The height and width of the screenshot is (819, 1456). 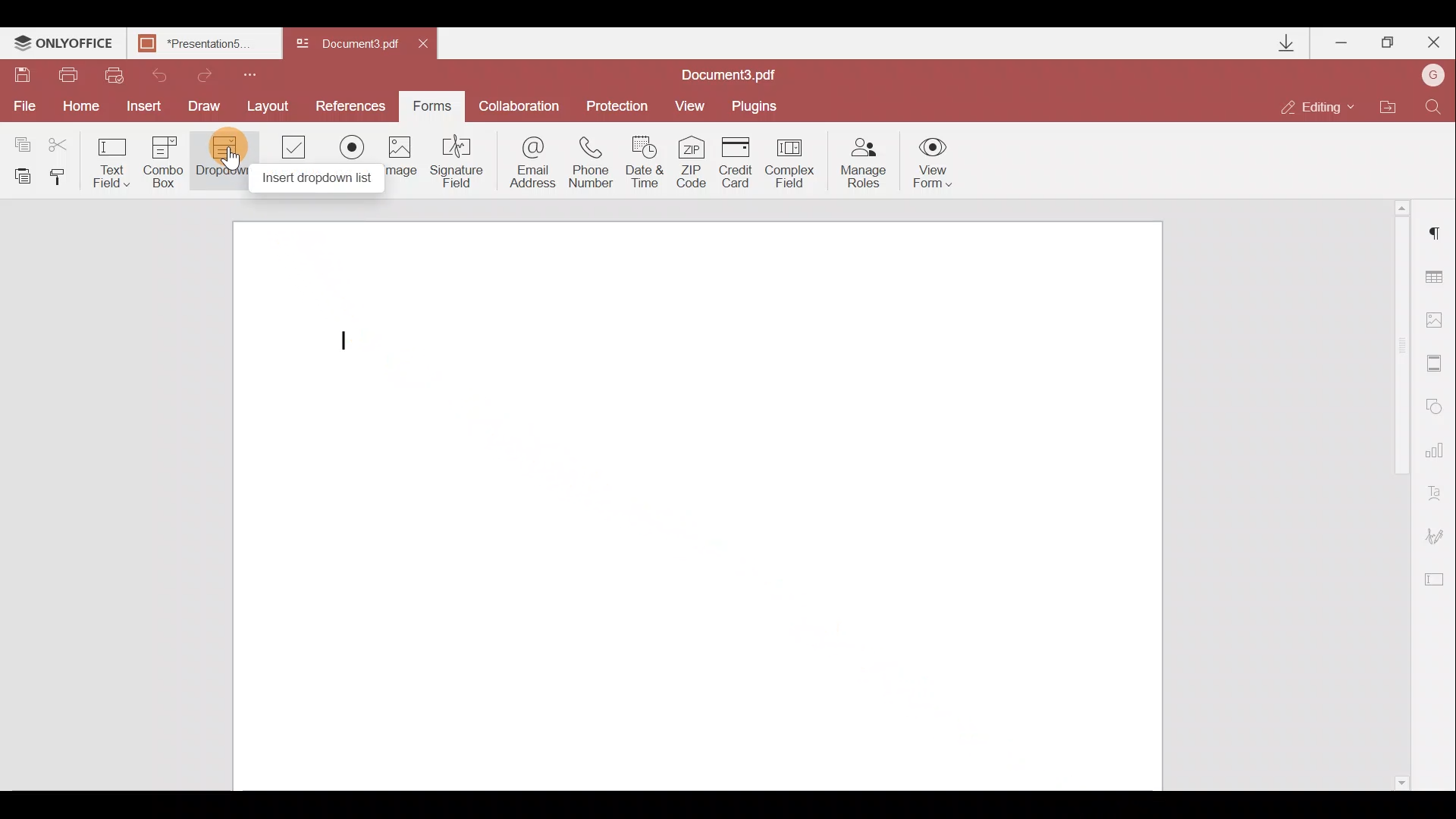 I want to click on Undo, so click(x=153, y=73).